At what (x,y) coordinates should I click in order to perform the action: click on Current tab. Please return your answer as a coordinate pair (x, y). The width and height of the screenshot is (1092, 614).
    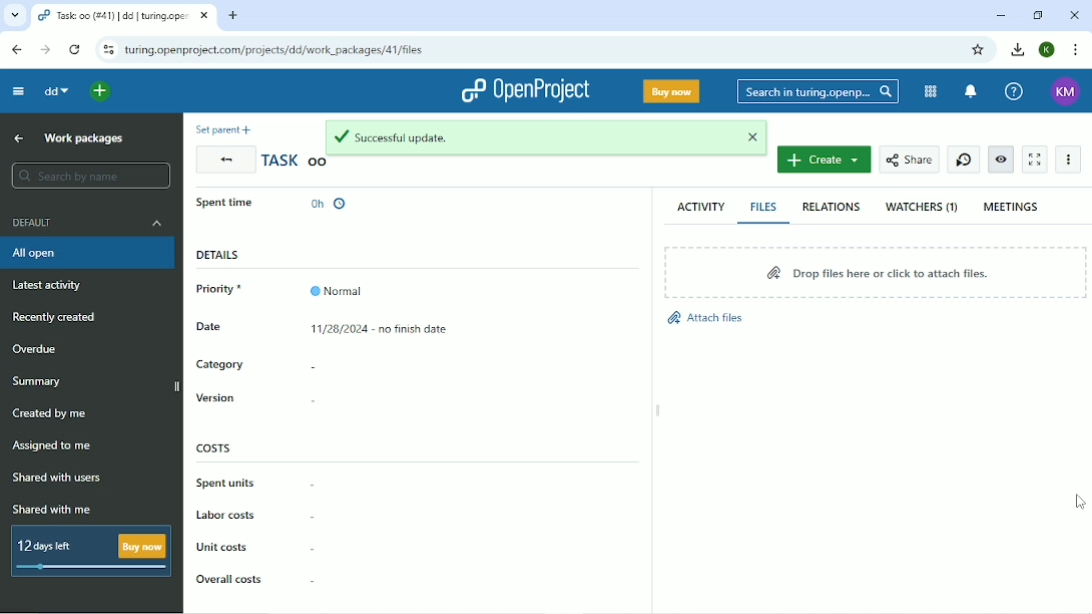
    Looking at the image, I should click on (124, 15).